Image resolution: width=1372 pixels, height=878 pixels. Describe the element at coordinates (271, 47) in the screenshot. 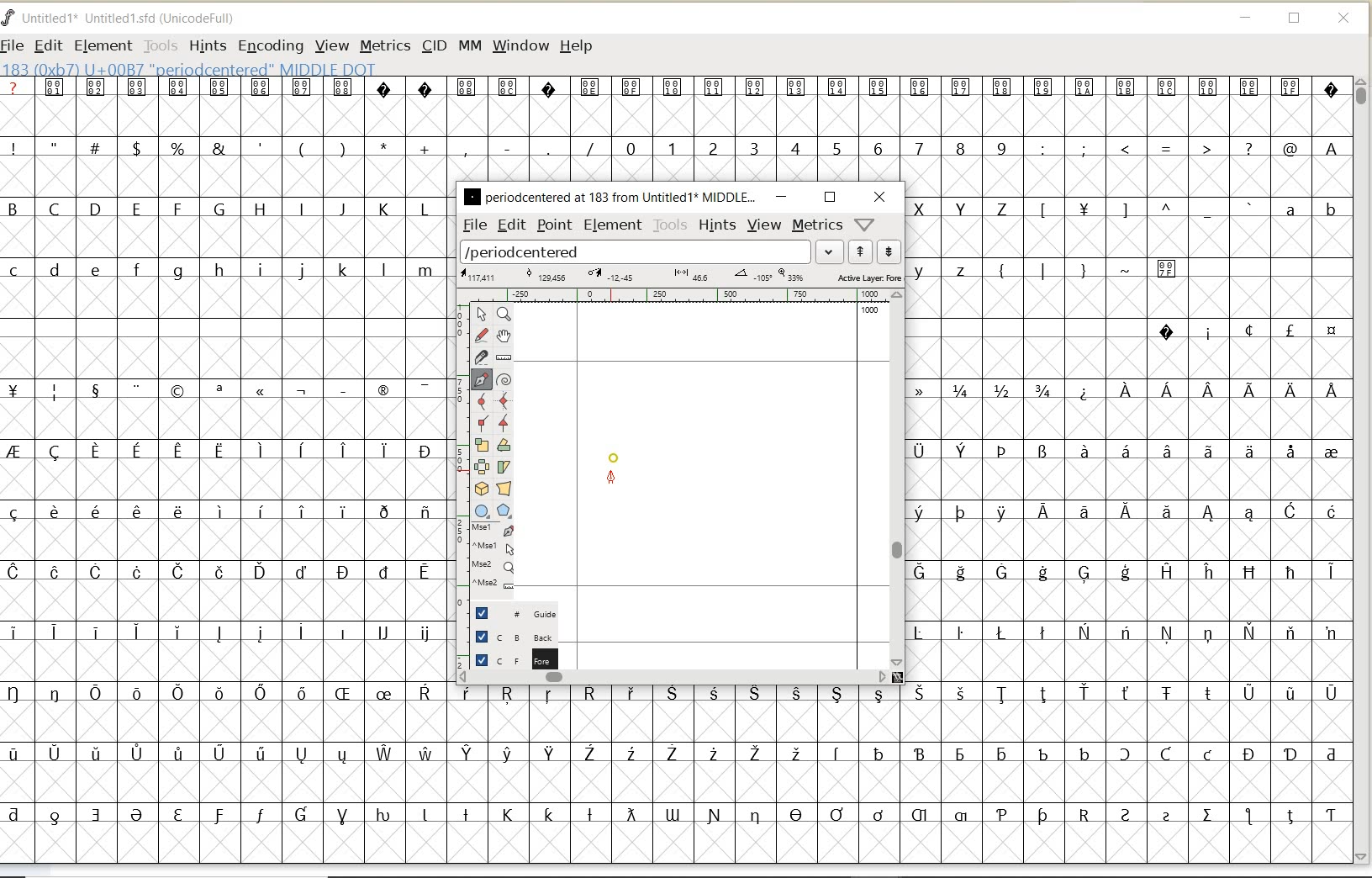

I see `ENCODING` at that location.